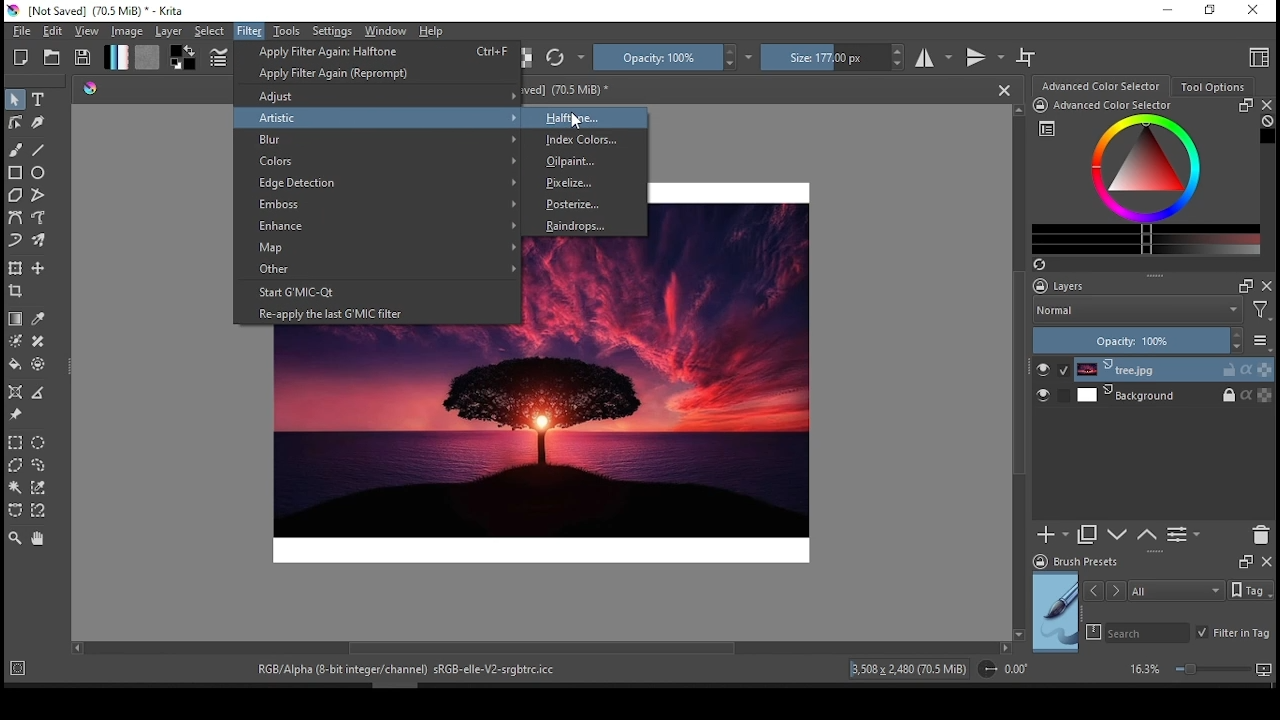  What do you see at coordinates (1252, 589) in the screenshot?
I see `Tags` at bounding box center [1252, 589].